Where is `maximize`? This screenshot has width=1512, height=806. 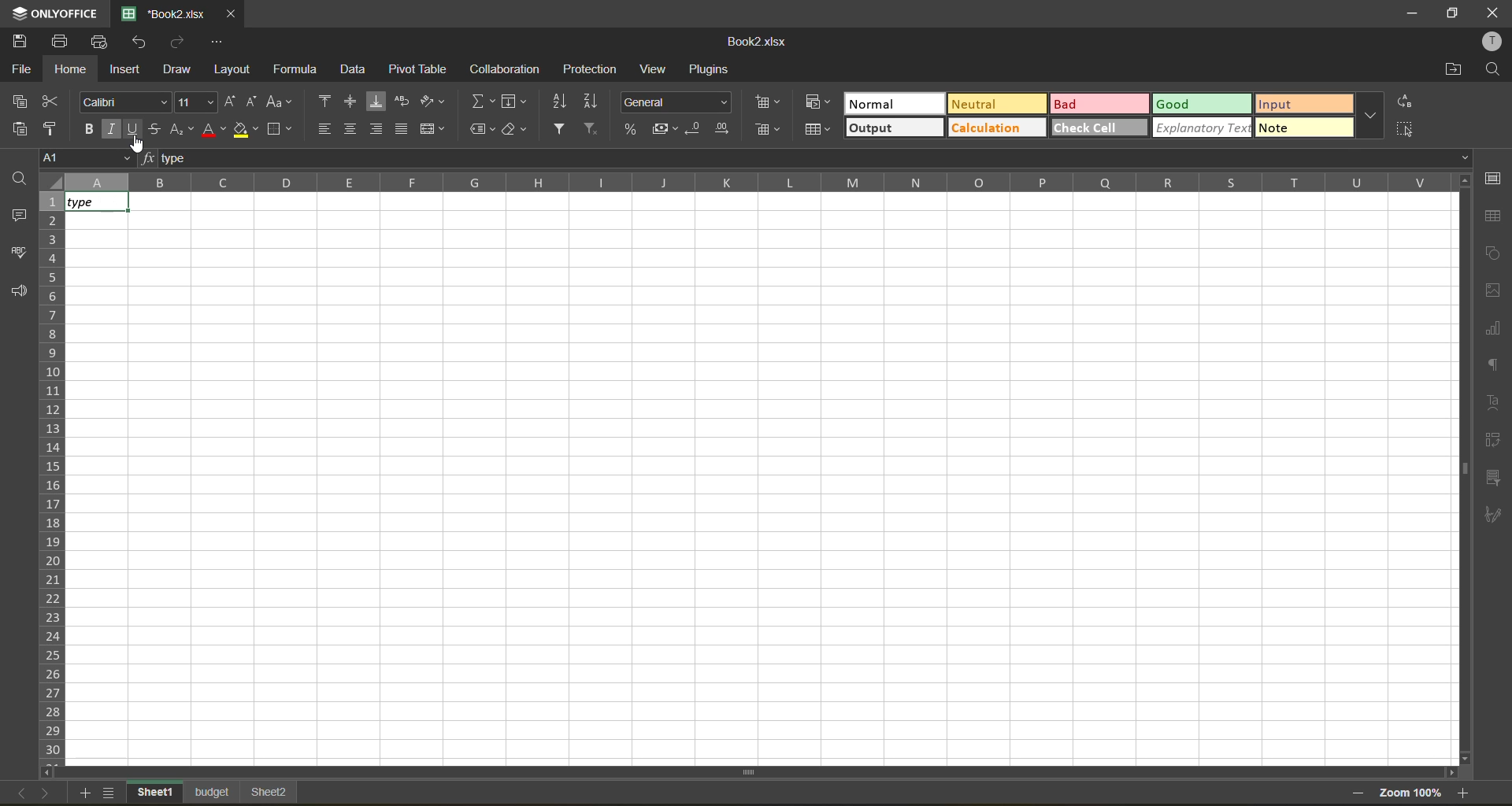 maximize is located at coordinates (1450, 13).